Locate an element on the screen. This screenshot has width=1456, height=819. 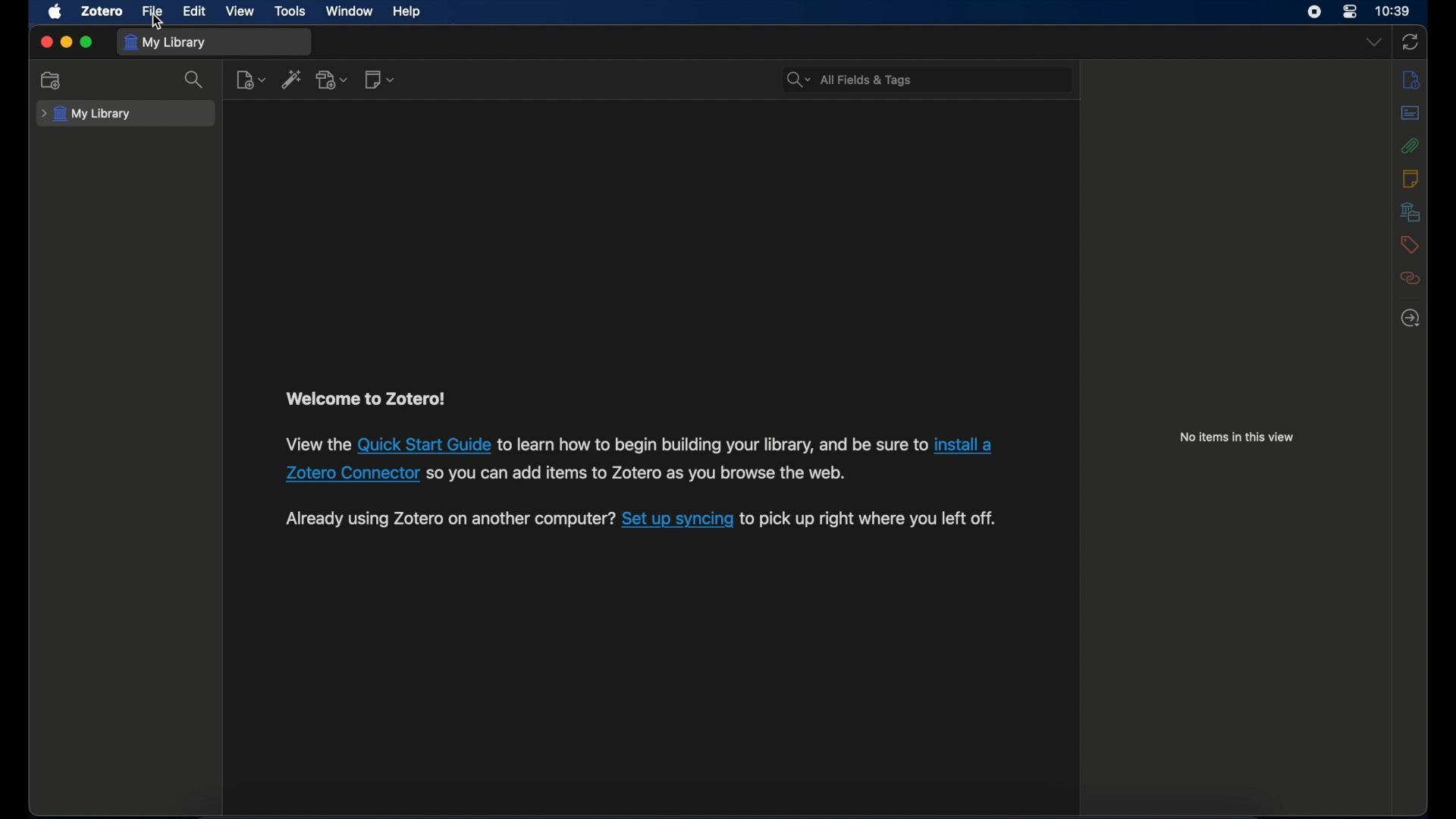
view is located at coordinates (241, 11).